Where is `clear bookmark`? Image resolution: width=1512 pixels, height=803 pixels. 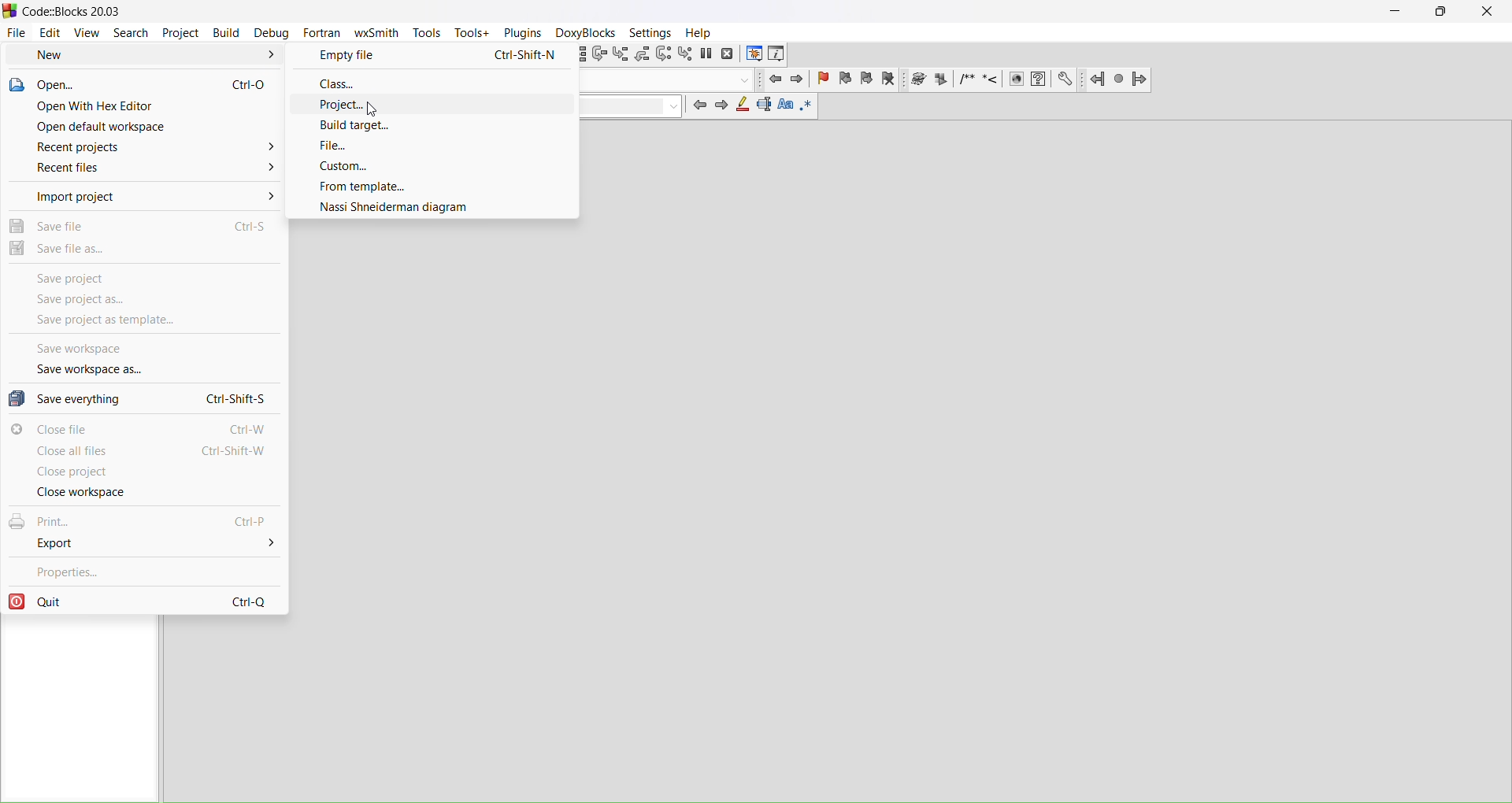
clear bookmark is located at coordinates (890, 80).